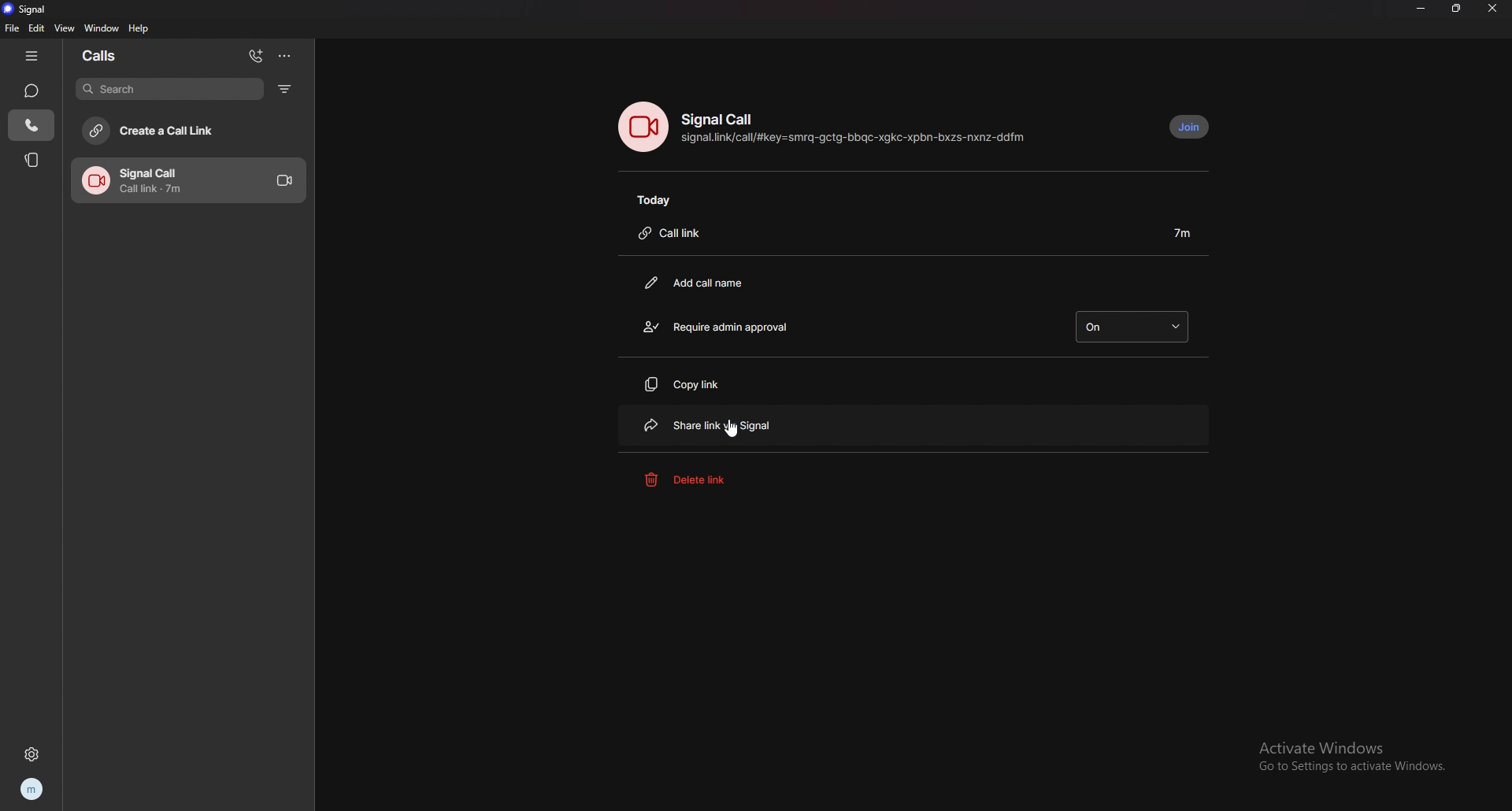 The width and height of the screenshot is (1512, 811). I want to click on join, so click(1189, 128).